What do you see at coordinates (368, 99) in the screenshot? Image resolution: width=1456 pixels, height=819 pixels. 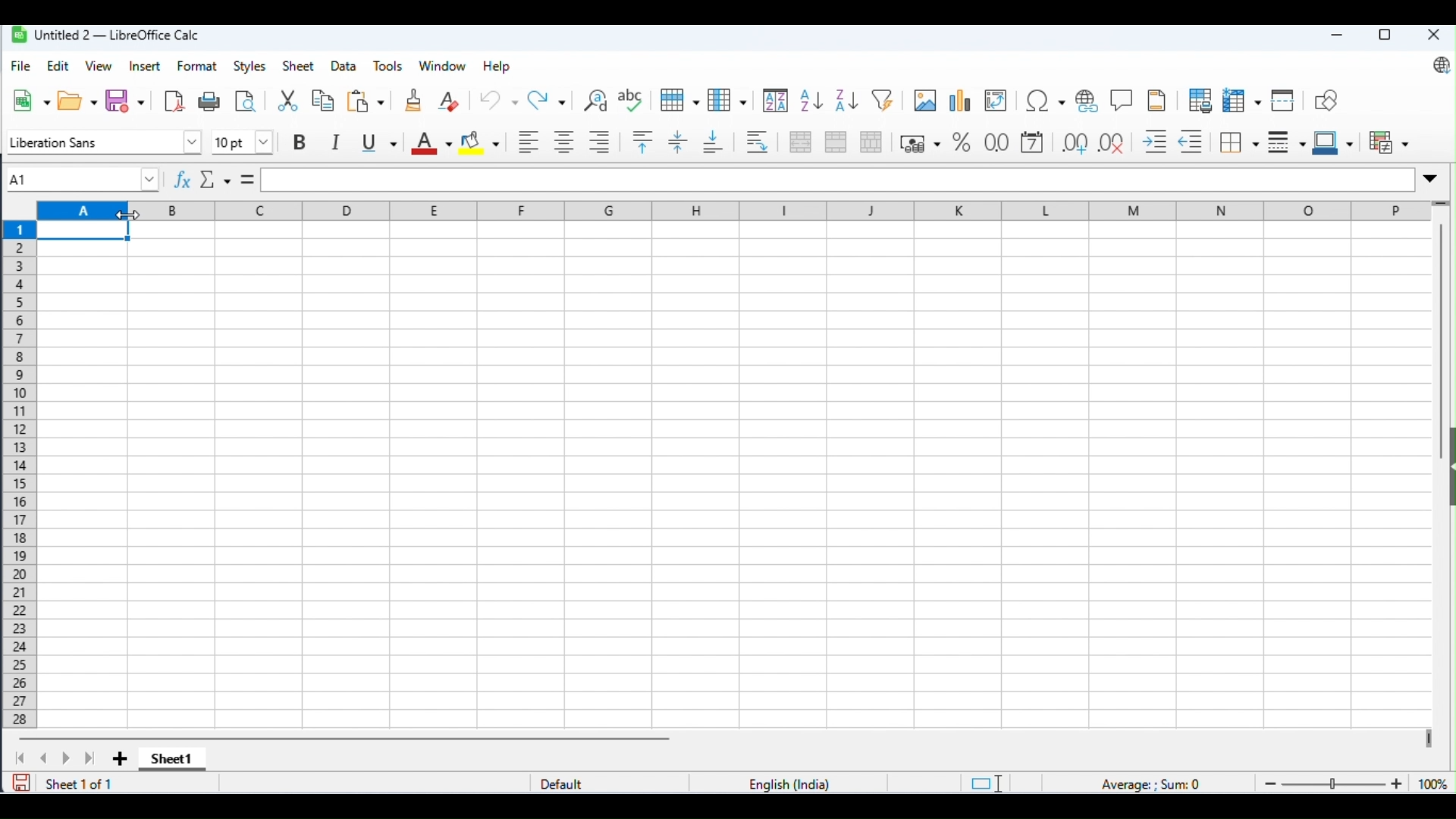 I see `paste` at bounding box center [368, 99].